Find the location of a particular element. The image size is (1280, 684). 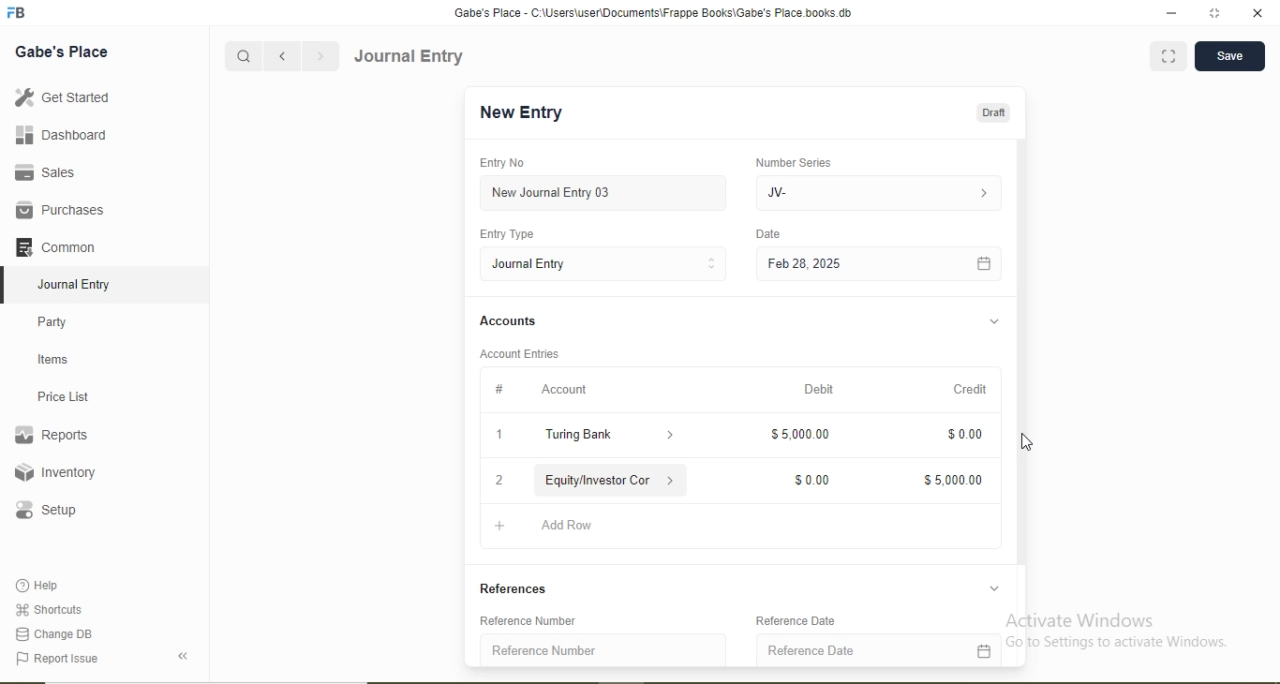

# is located at coordinates (500, 388).